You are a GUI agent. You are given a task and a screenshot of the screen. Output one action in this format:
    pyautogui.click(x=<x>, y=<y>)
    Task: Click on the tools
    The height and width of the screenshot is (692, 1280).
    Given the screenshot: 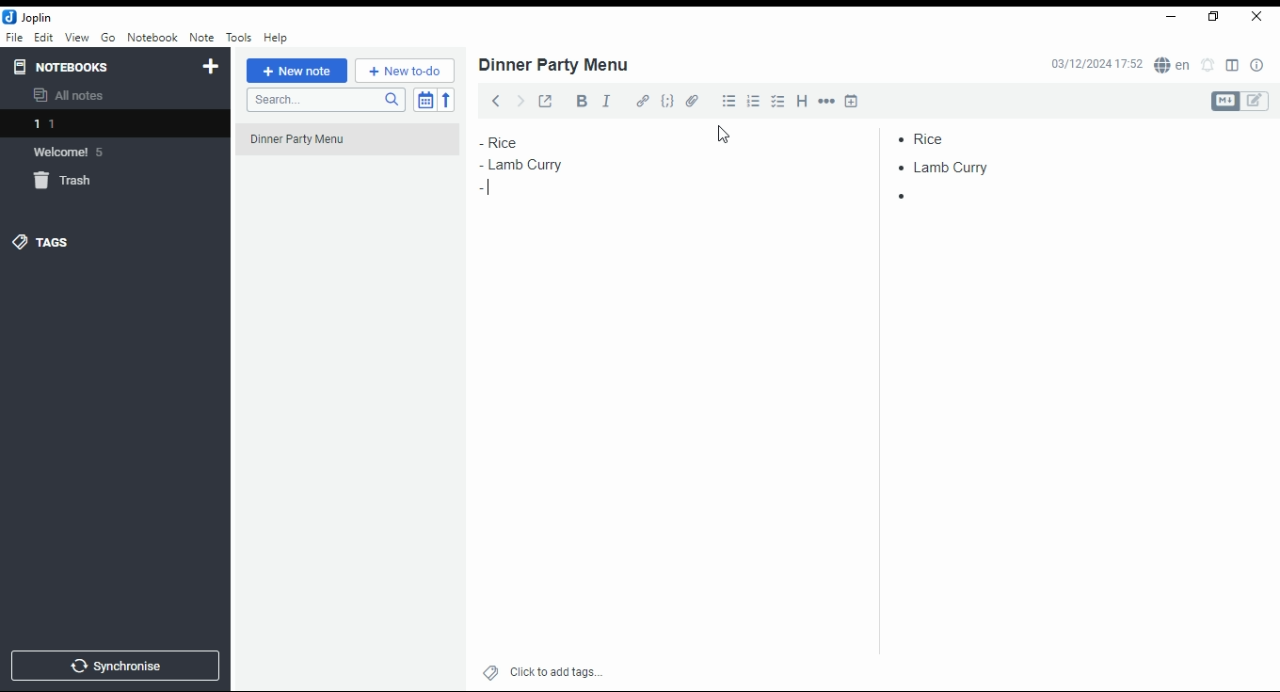 What is the action you would take?
    pyautogui.click(x=238, y=36)
    